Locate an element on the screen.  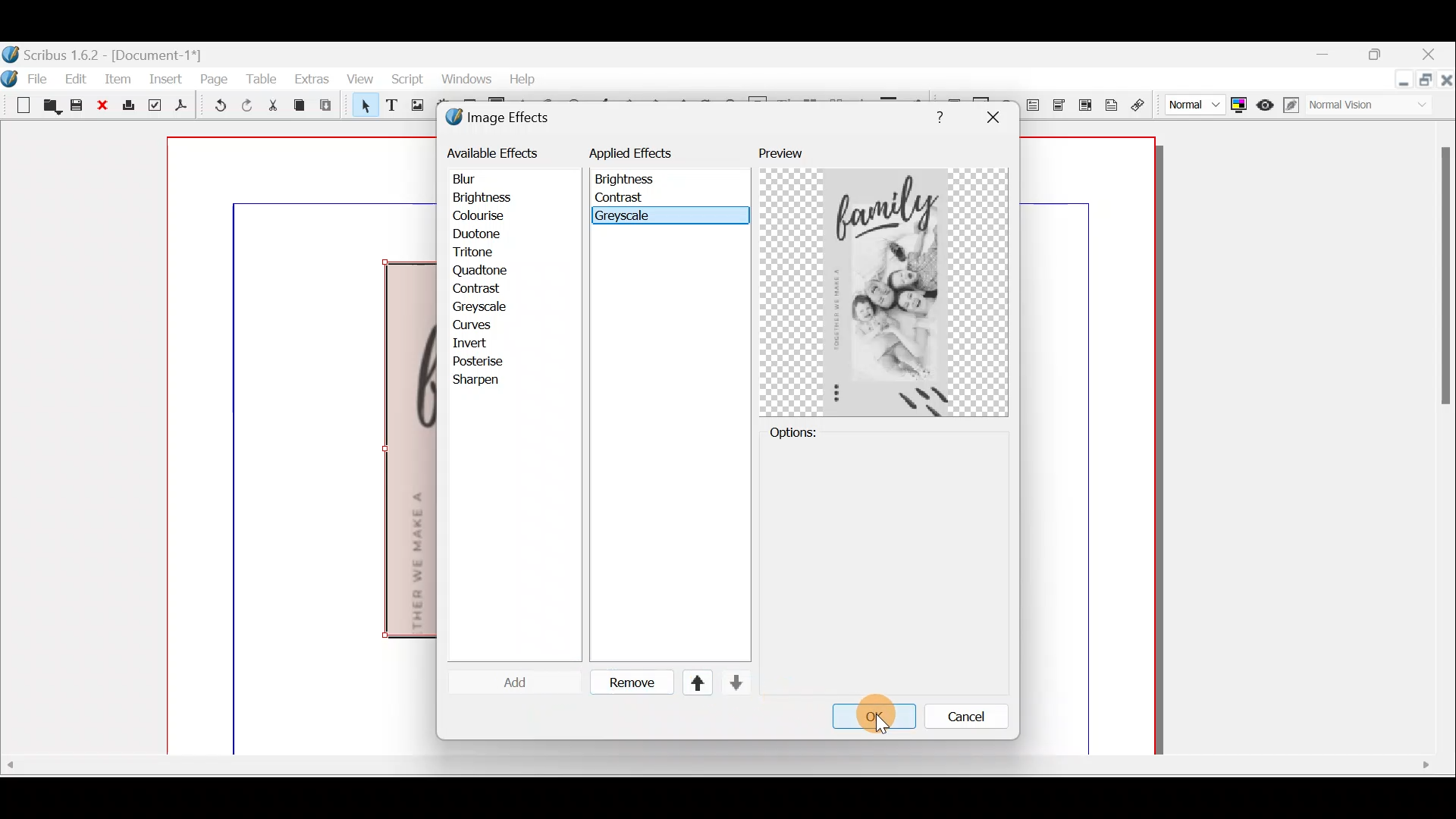
Down is located at coordinates (737, 683).